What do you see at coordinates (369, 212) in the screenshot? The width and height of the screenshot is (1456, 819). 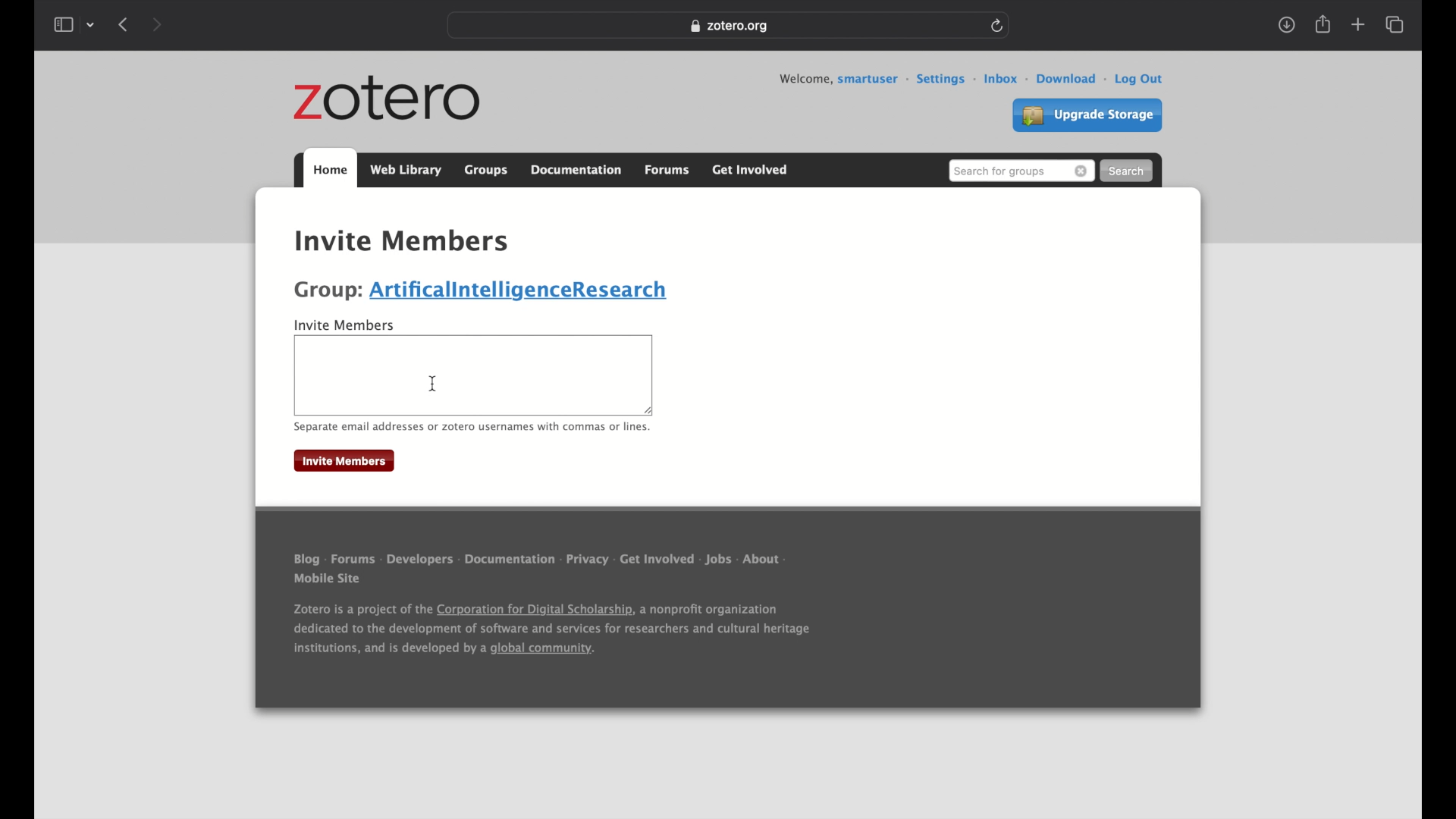 I see `groups` at bounding box center [369, 212].